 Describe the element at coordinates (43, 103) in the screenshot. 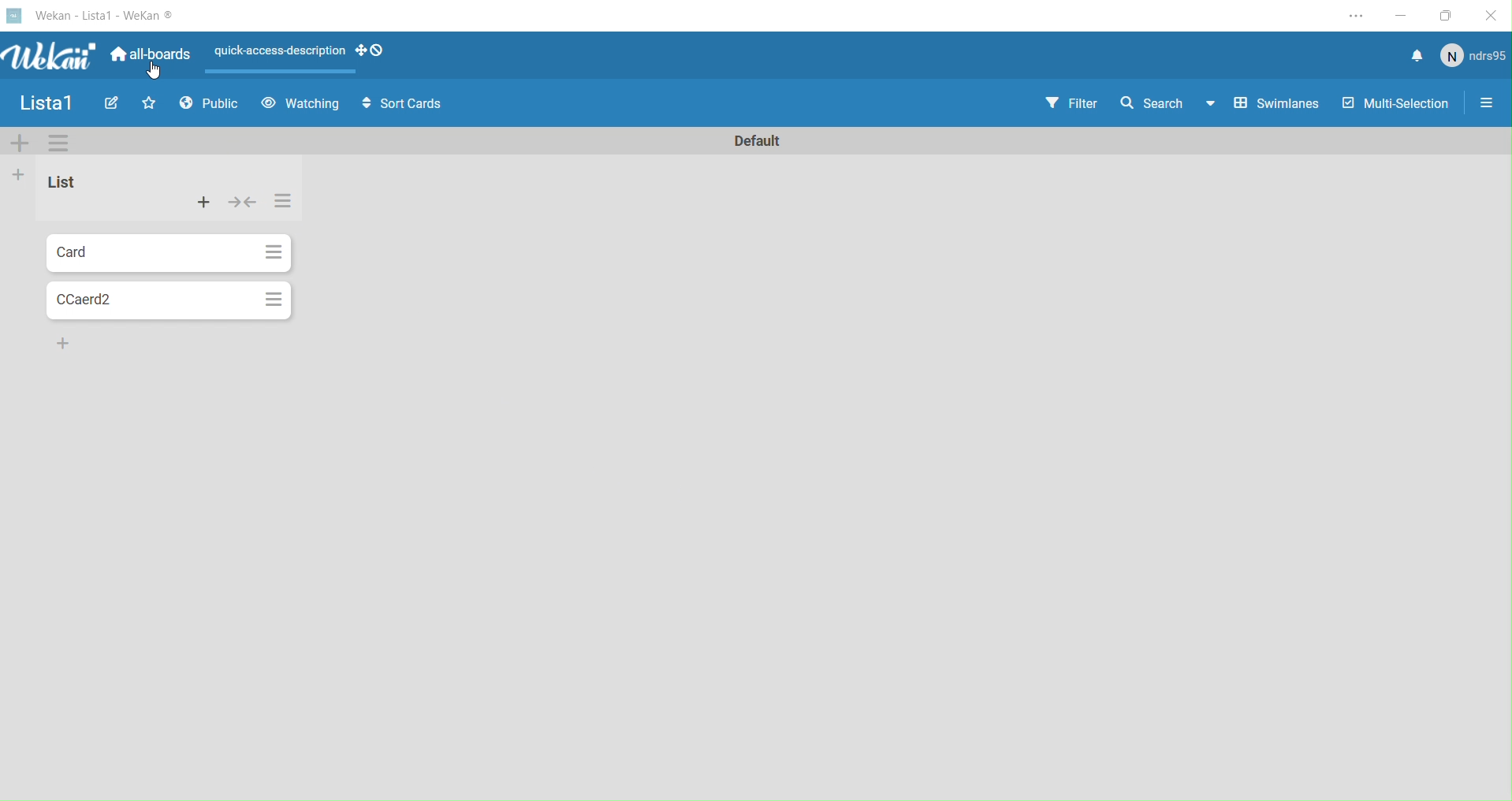

I see `Name` at that location.